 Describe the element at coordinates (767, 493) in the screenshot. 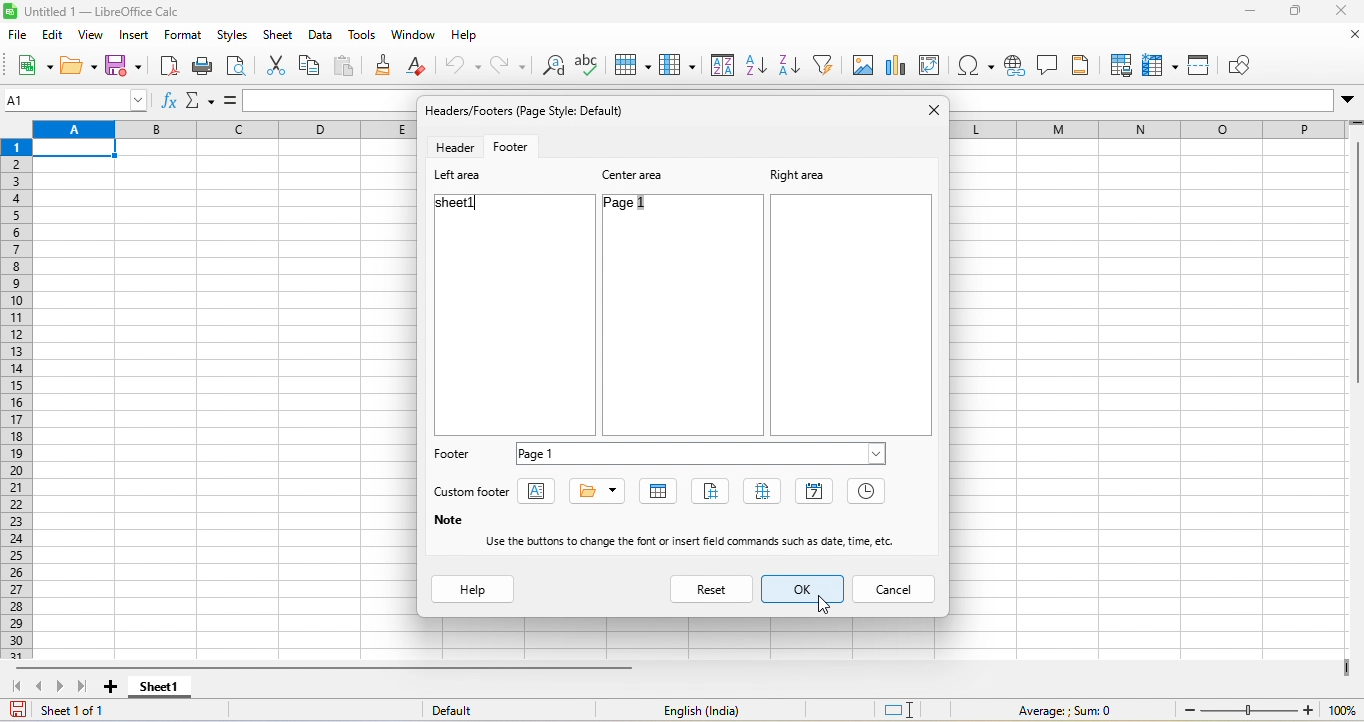

I see `pages` at that location.